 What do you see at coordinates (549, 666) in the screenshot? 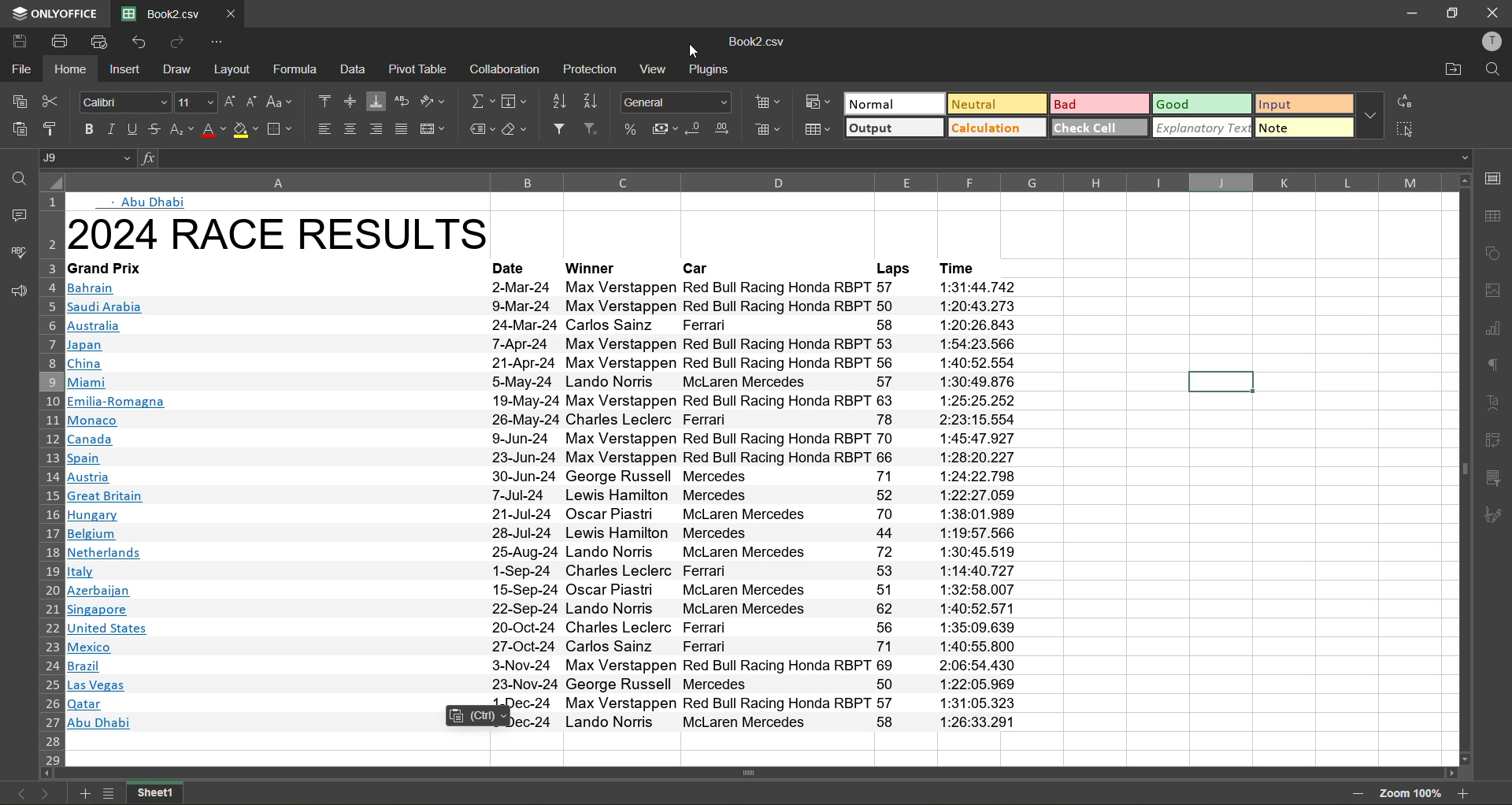
I see `text info` at bounding box center [549, 666].